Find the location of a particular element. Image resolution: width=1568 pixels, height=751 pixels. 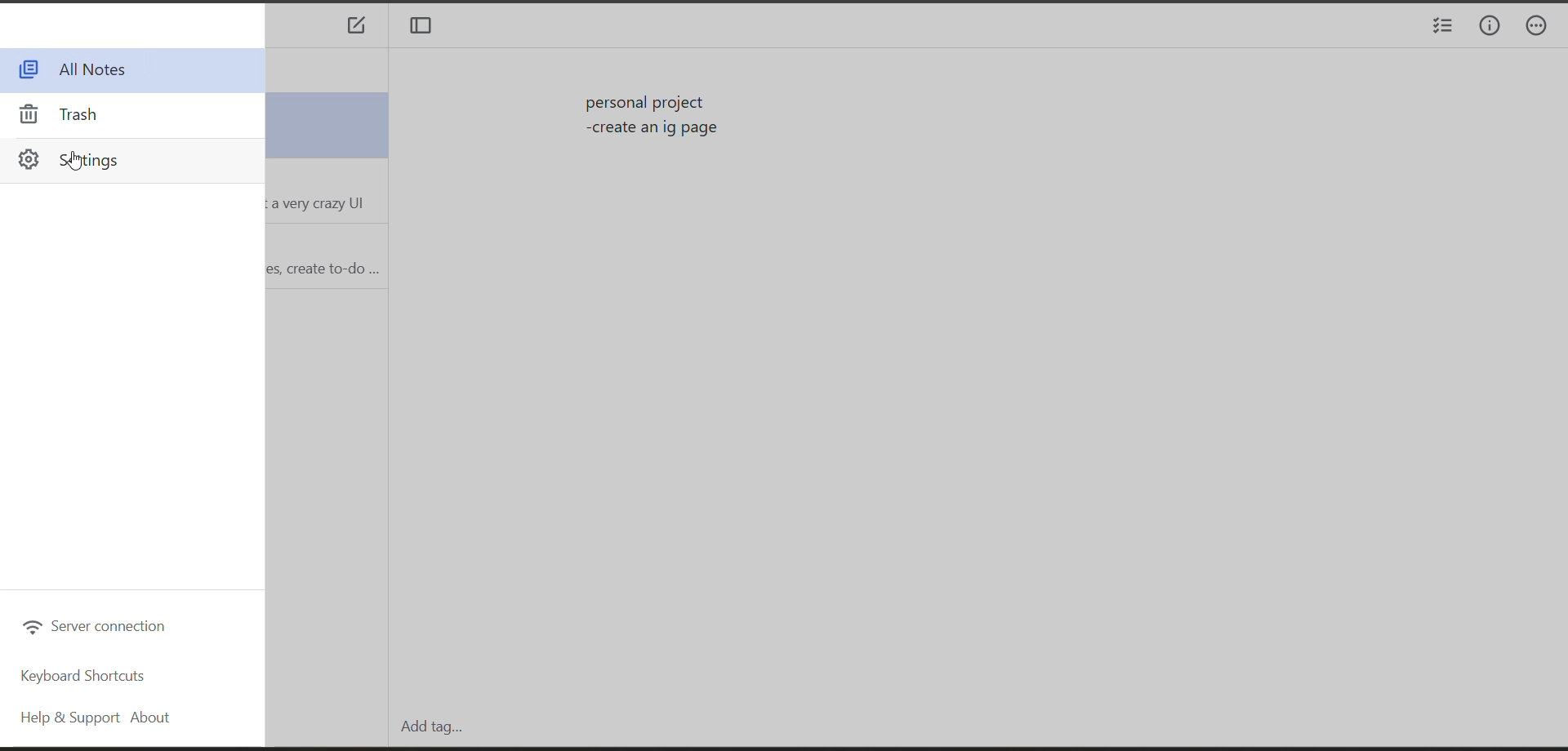

cursor is located at coordinates (78, 162).